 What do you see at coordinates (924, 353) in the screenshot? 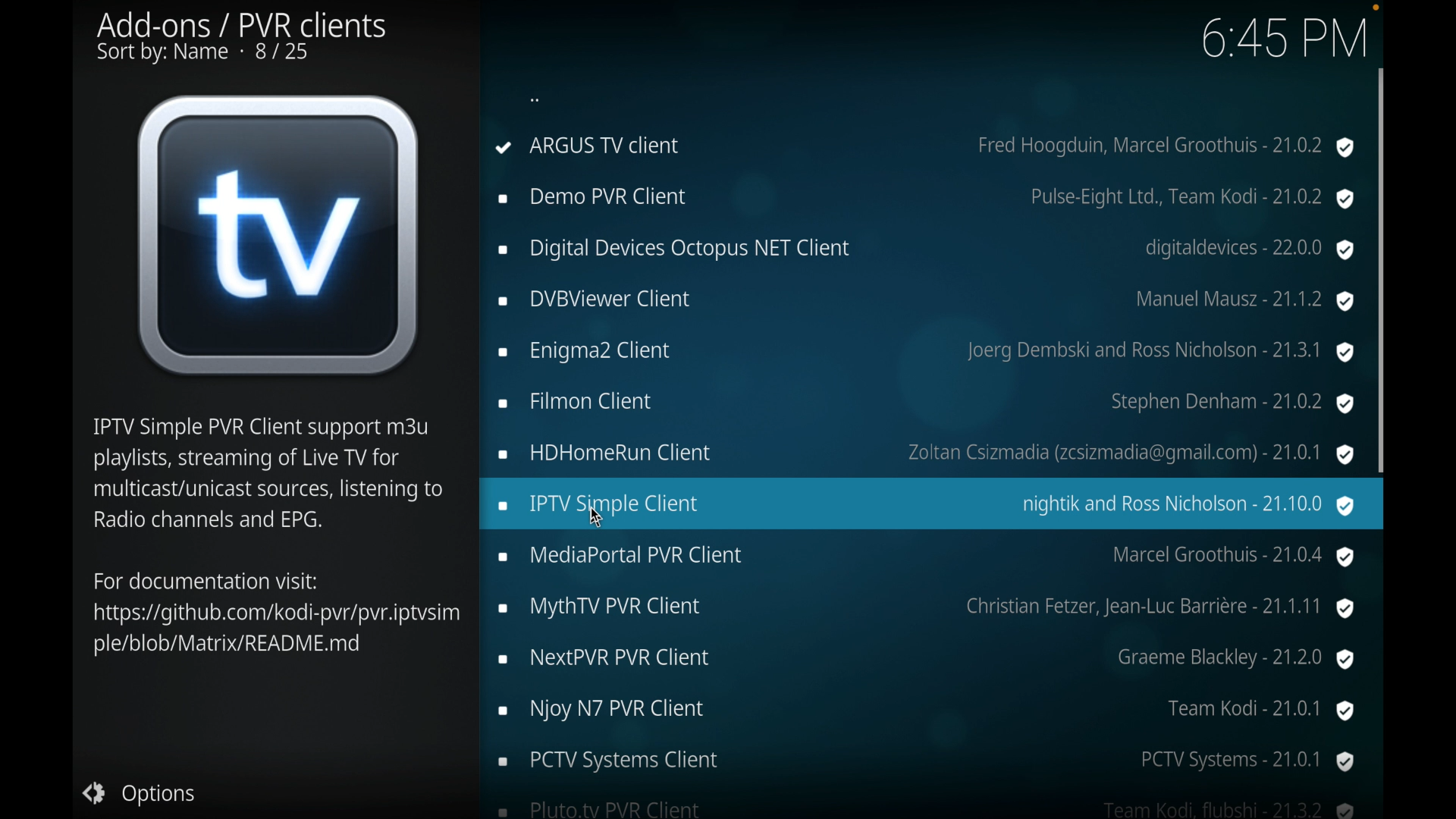
I see `enigma2 client` at bounding box center [924, 353].